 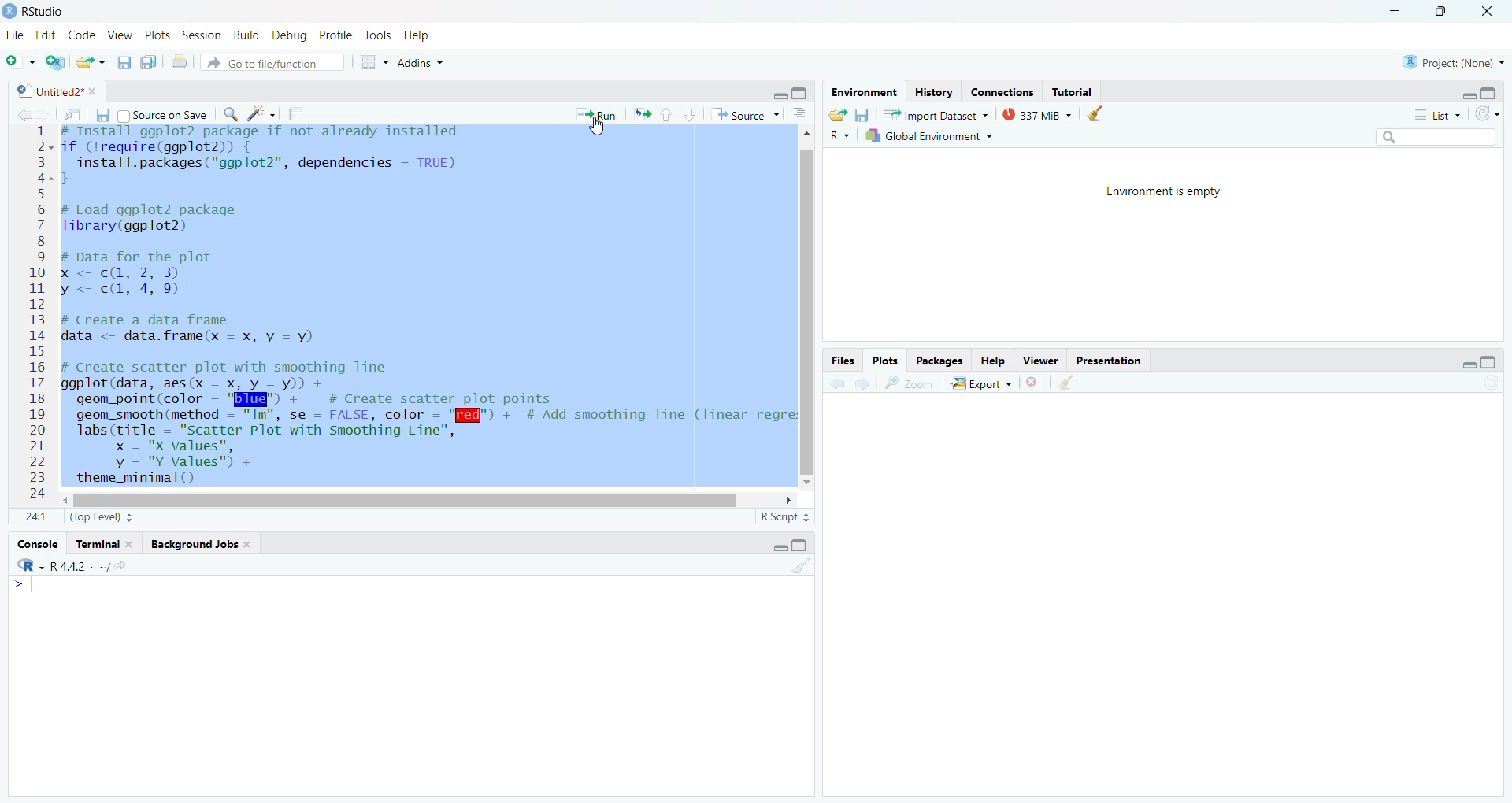 What do you see at coordinates (910, 383) in the screenshot?
I see `zoom` at bounding box center [910, 383].